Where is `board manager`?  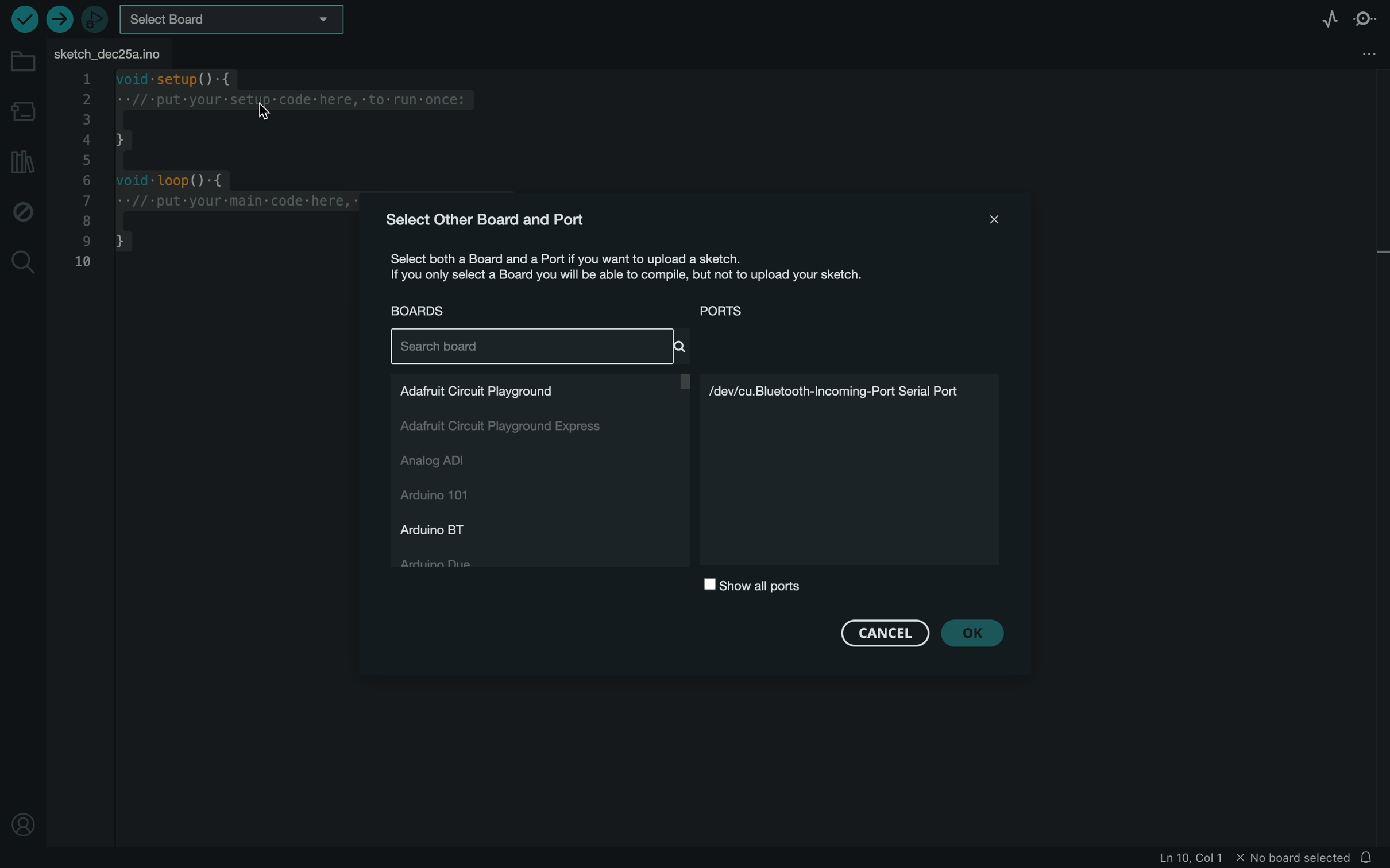 board manager is located at coordinates (22, 110).